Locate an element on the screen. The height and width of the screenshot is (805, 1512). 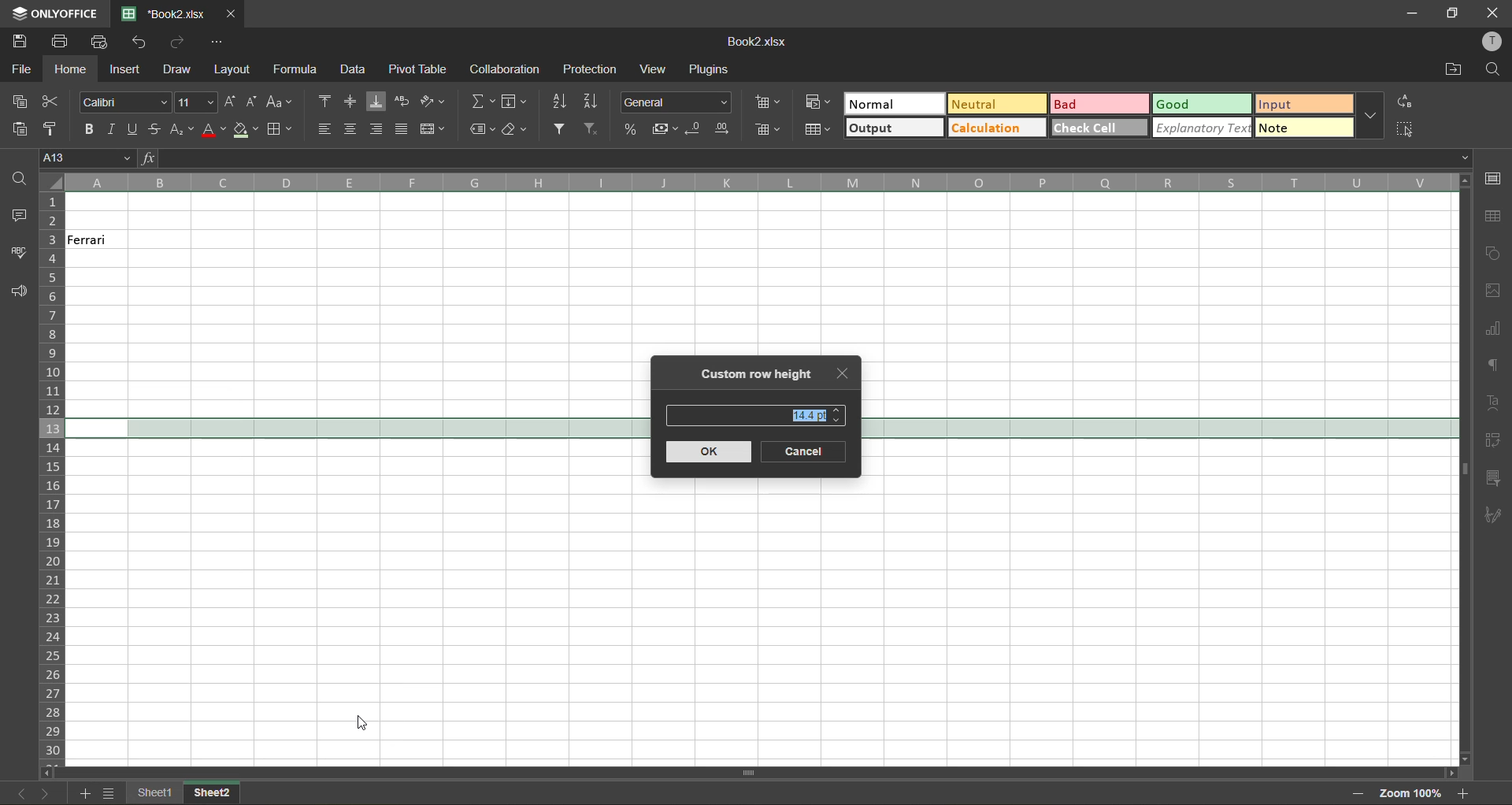
format as table is located at coordinates (818, 129).